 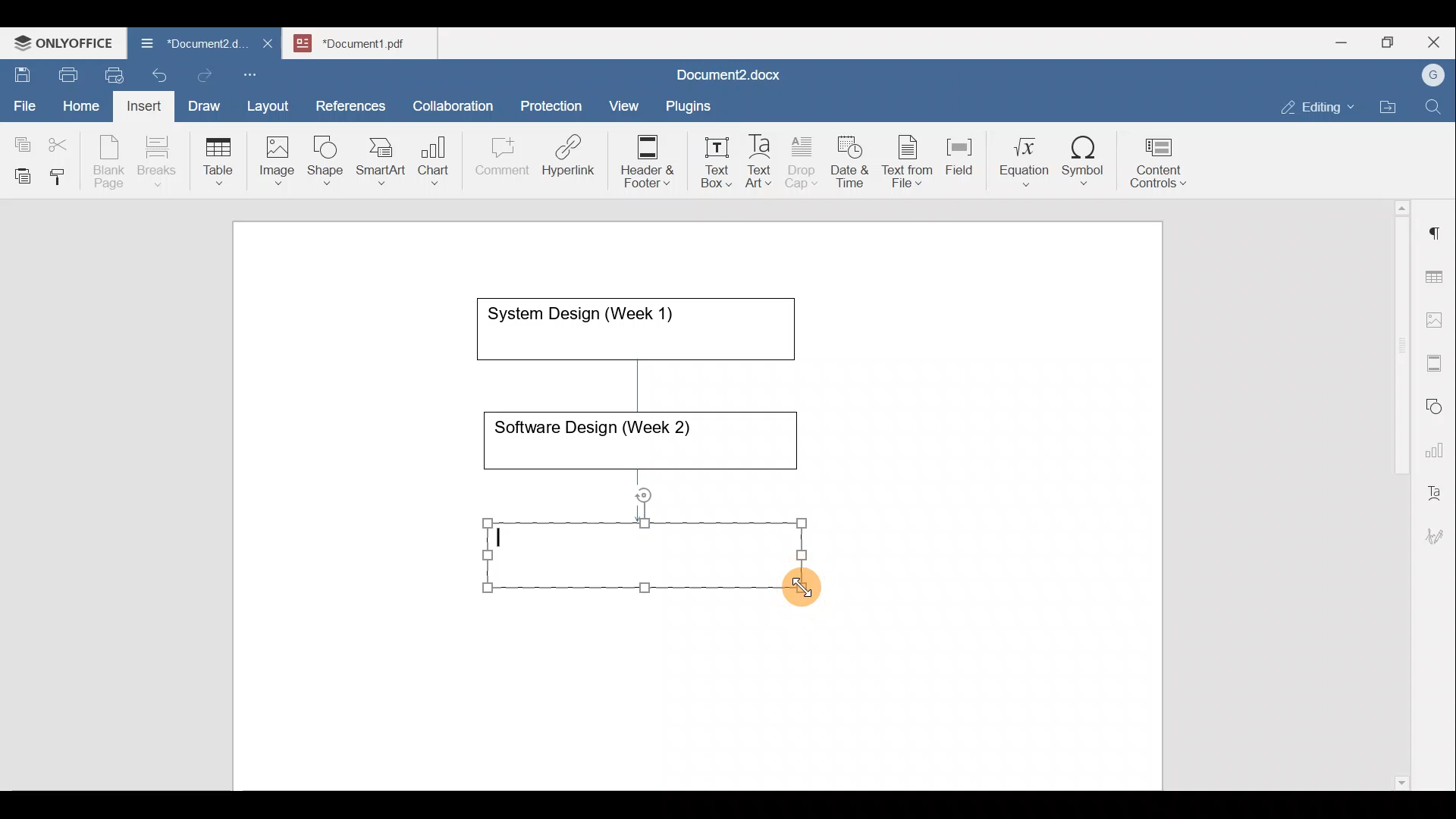 What do you see at coordinates (1437, 359) in the screenshot?
I see `Headers & footers` at bounding box center [1437, 359].